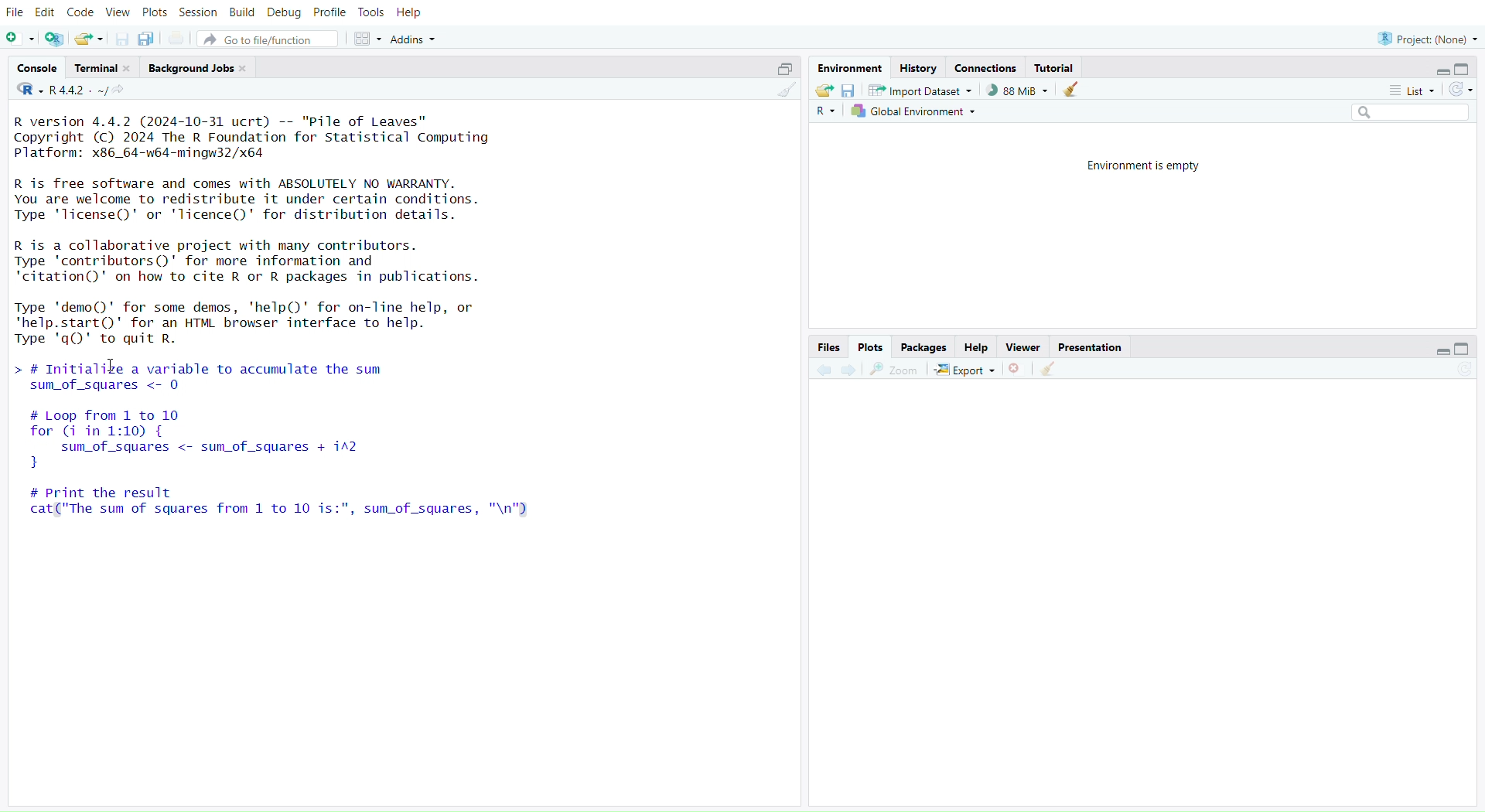 Image resolution: width=1485 pixels, height=812 pixels. What do you see at coordinates (113, 363) in the screenshot?
I see `cursor` at bounding box center [113, 363].